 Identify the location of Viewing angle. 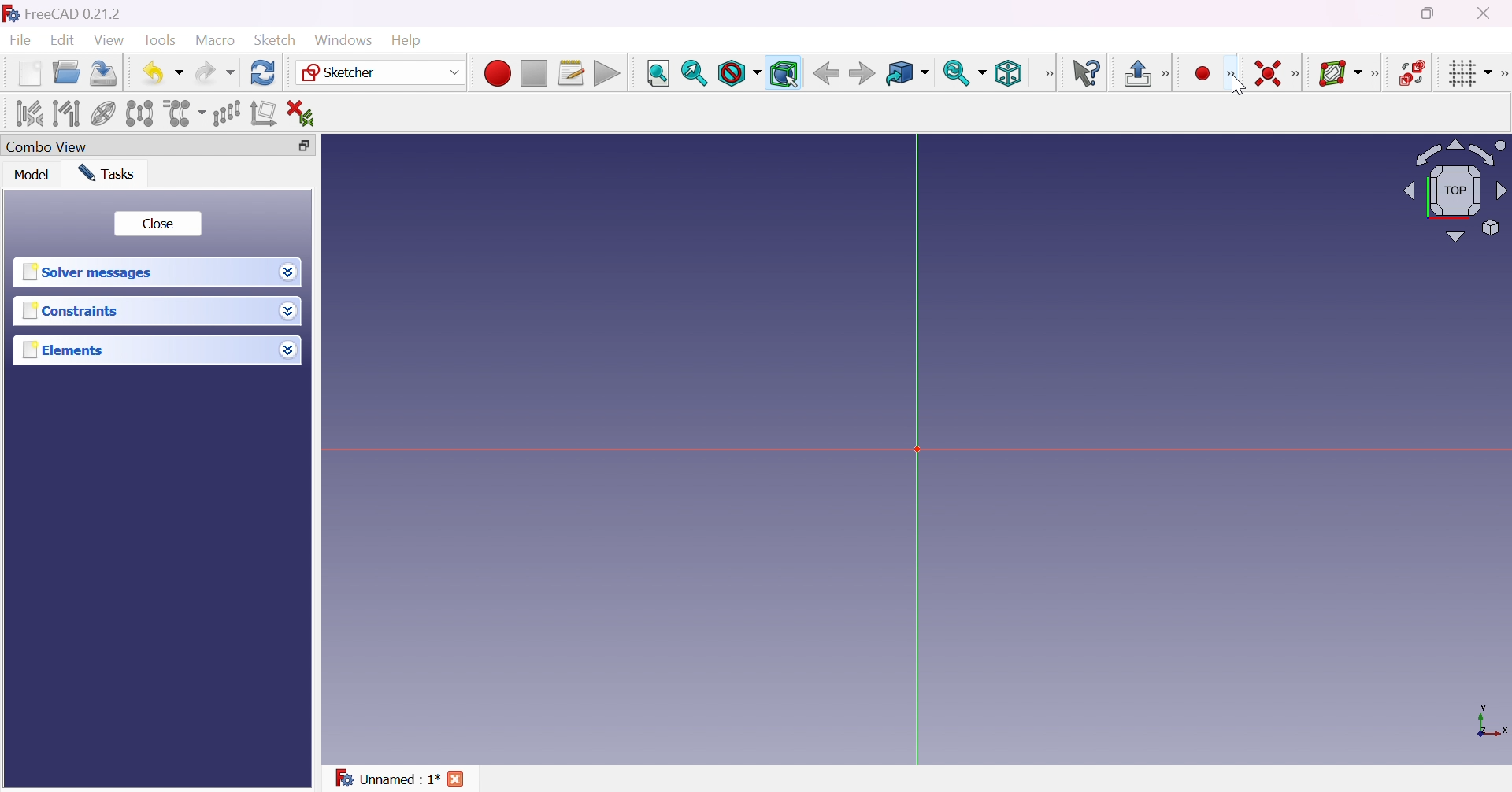
(1454, 189).